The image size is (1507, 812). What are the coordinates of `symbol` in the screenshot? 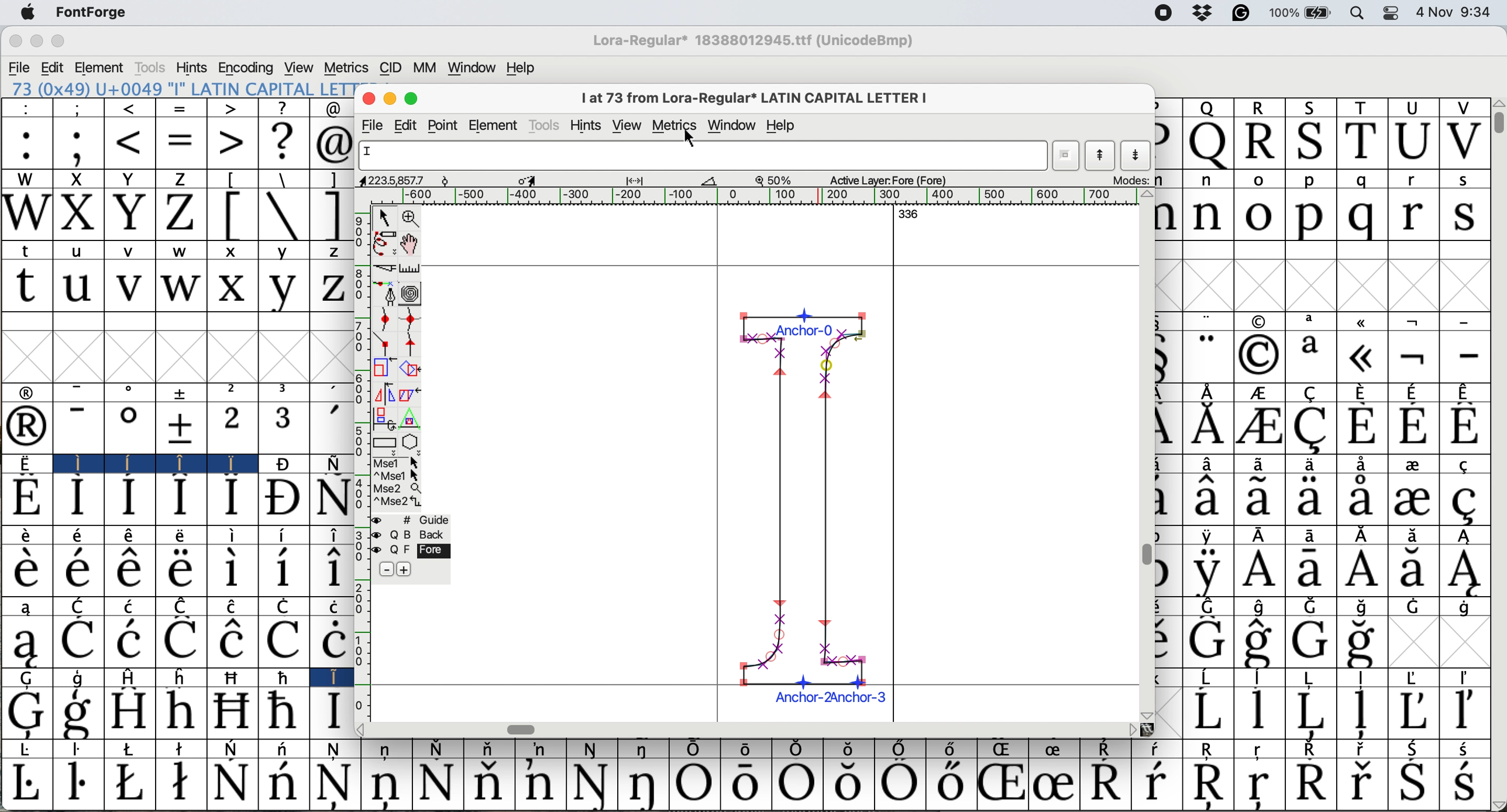 It's located at (29, 391).